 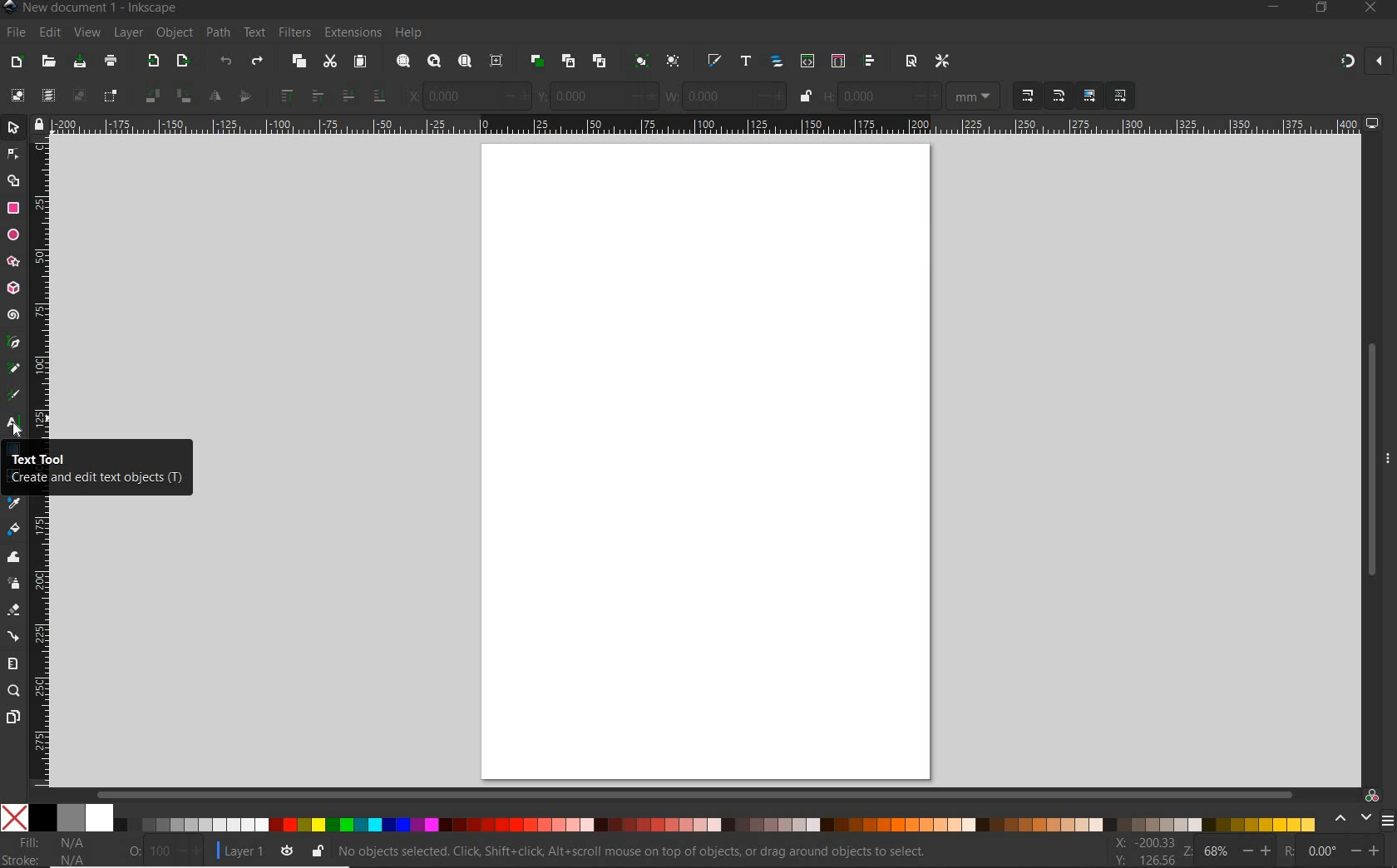 I want to click on tweak tool, so click(x=14, y=558).